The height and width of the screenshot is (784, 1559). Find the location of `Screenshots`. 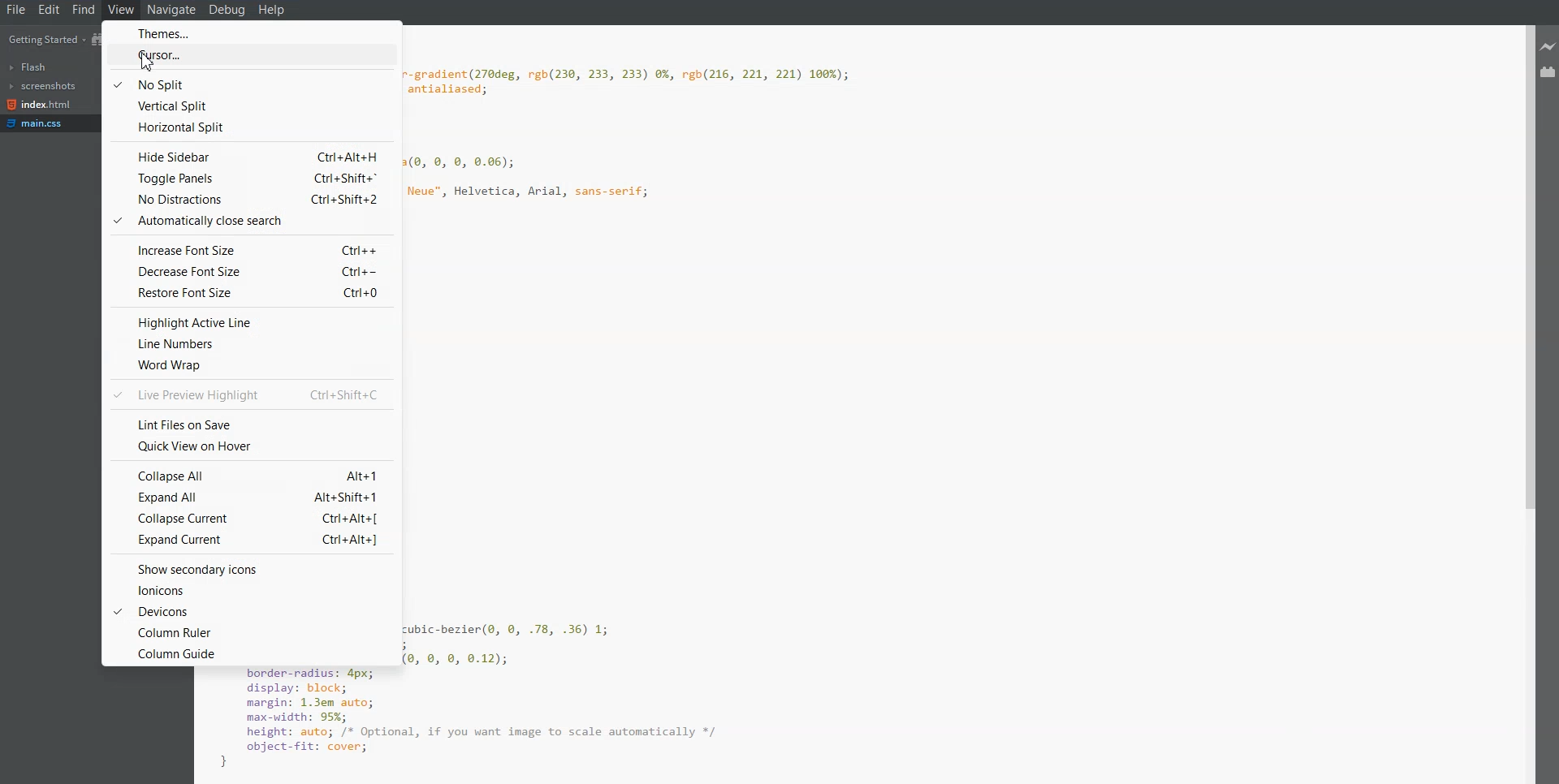

Screenshots is located at coordinates (42, 86).